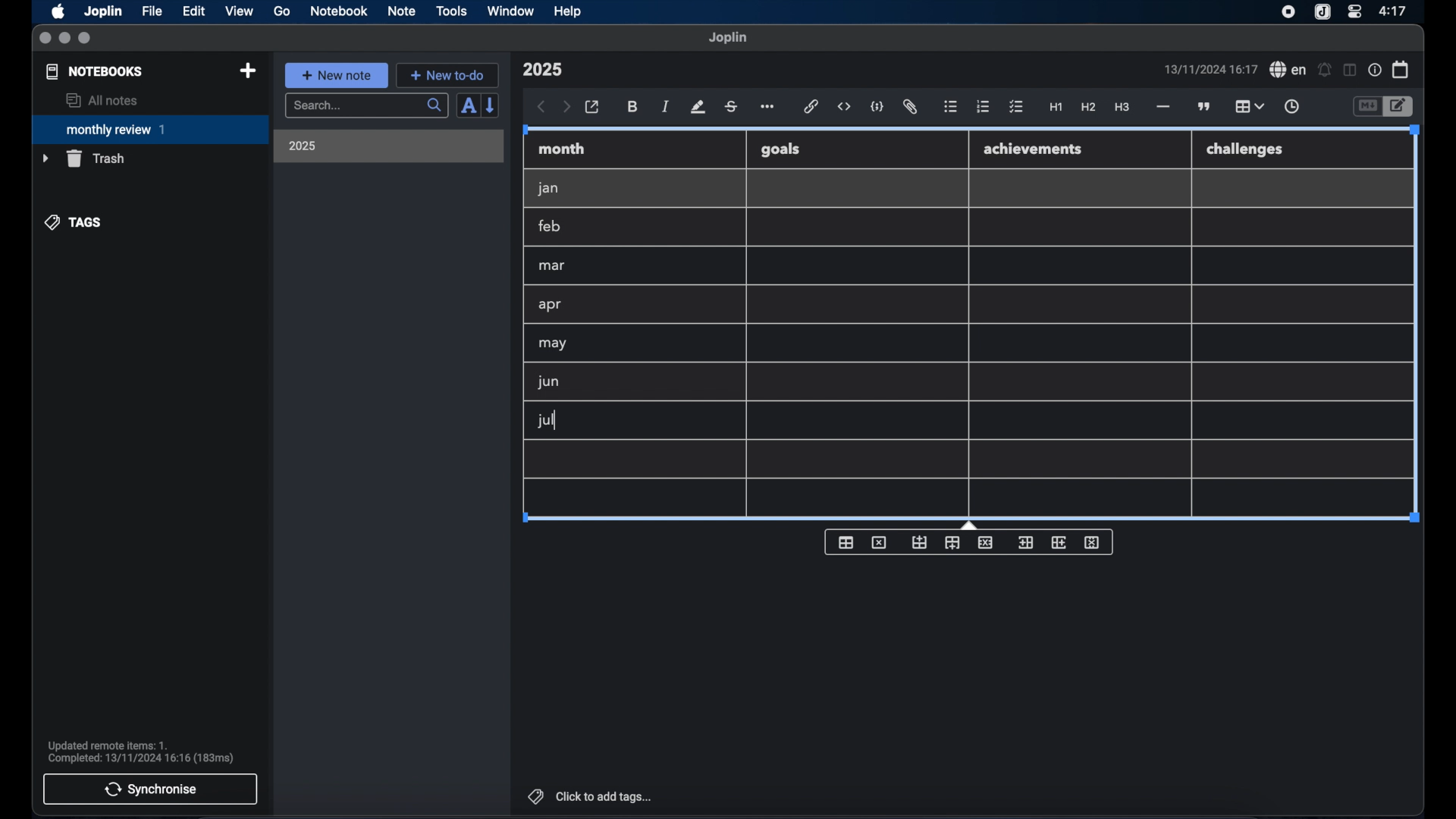 This screenshot has width=1456, height=819. Describe the element at coordinates (666, 106) in the screenshot. I see `italic` at that location.